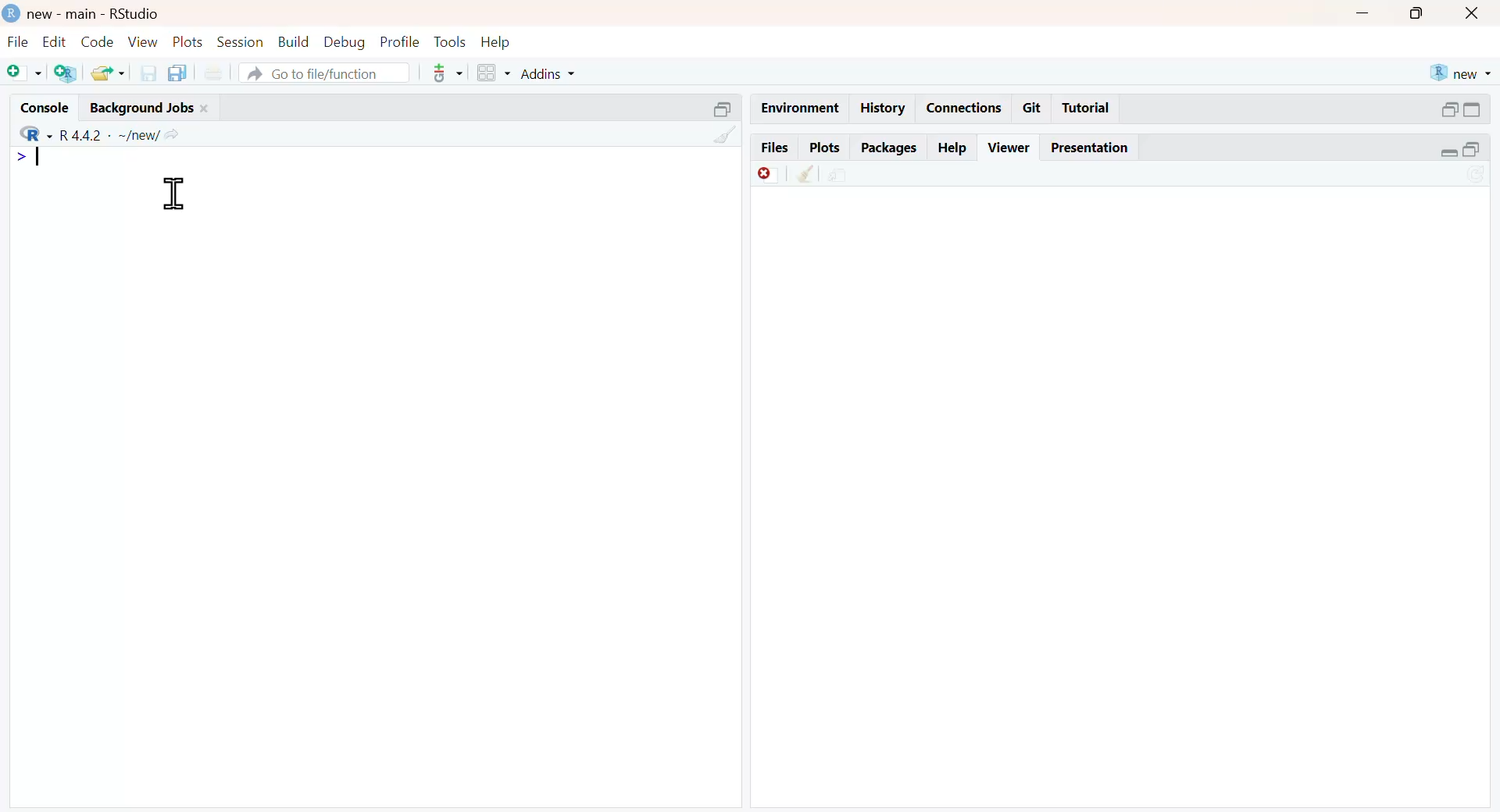 The height and width of the screenshot is (812, 1500). I want to click on expand/collapse, so click(1472, 109).